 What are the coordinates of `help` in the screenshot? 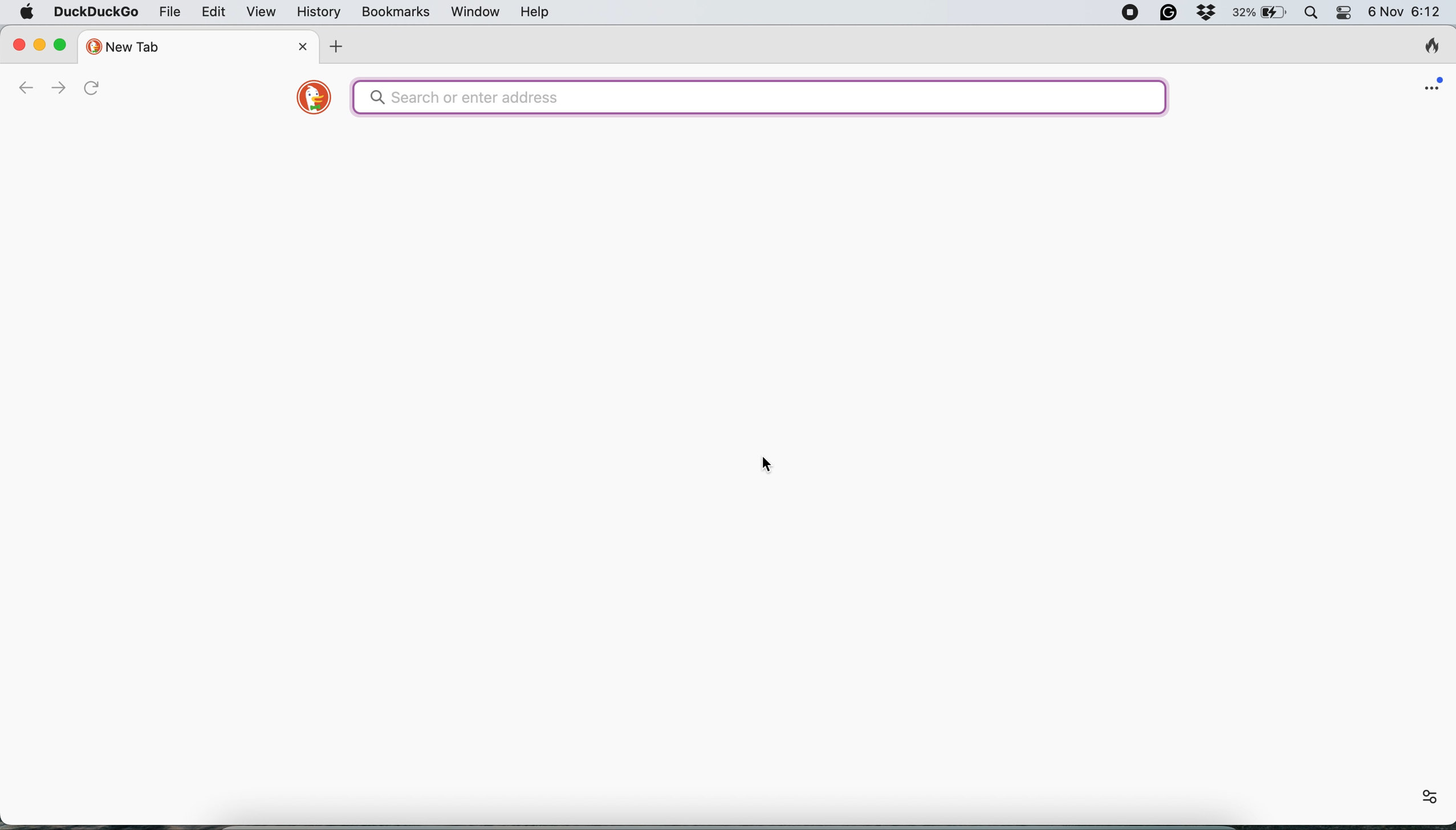 It's located at (537, 12).